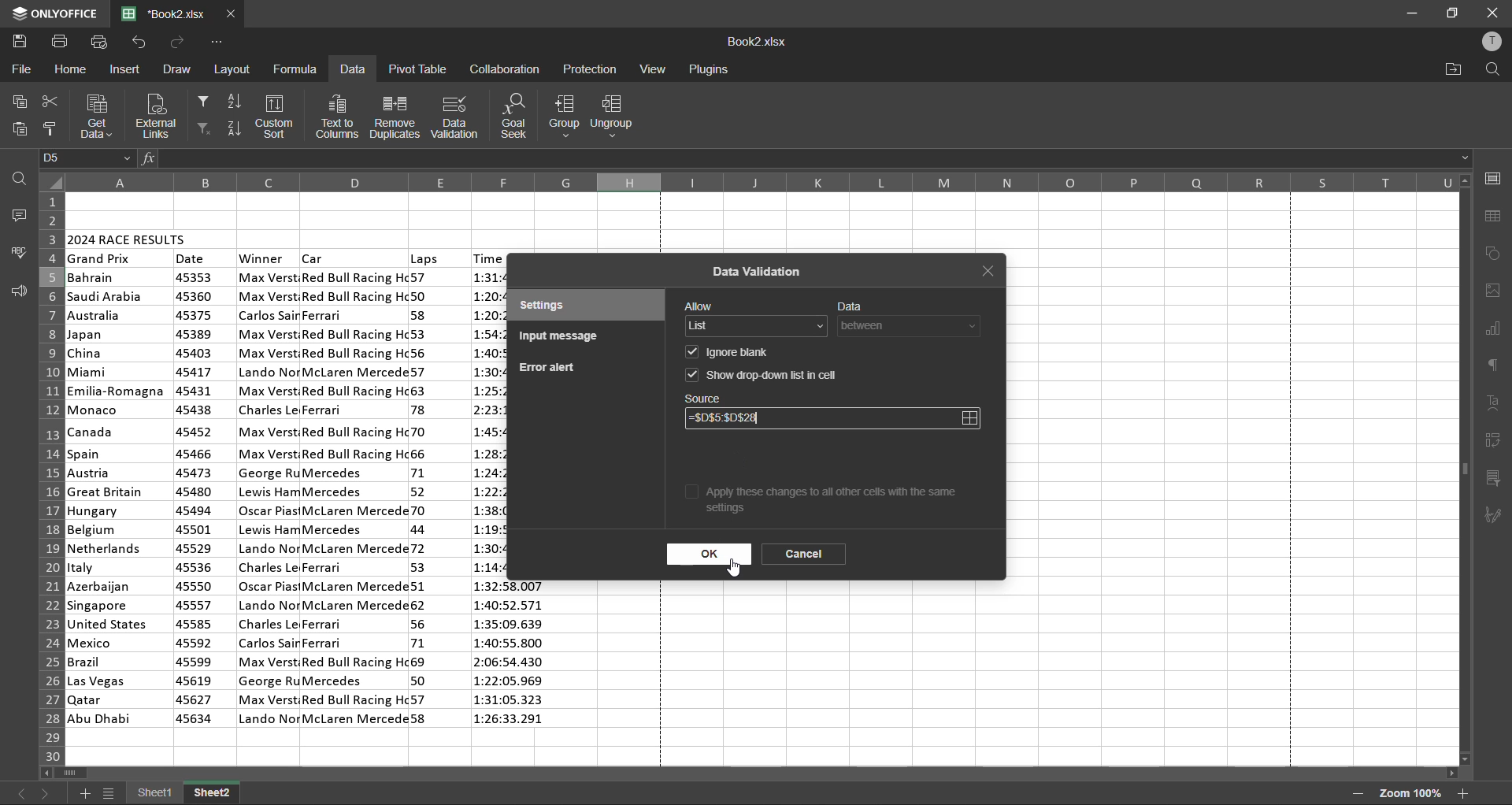 This screenshot has width=1512, height=805. I want to click on profile, so click(1491, 44).